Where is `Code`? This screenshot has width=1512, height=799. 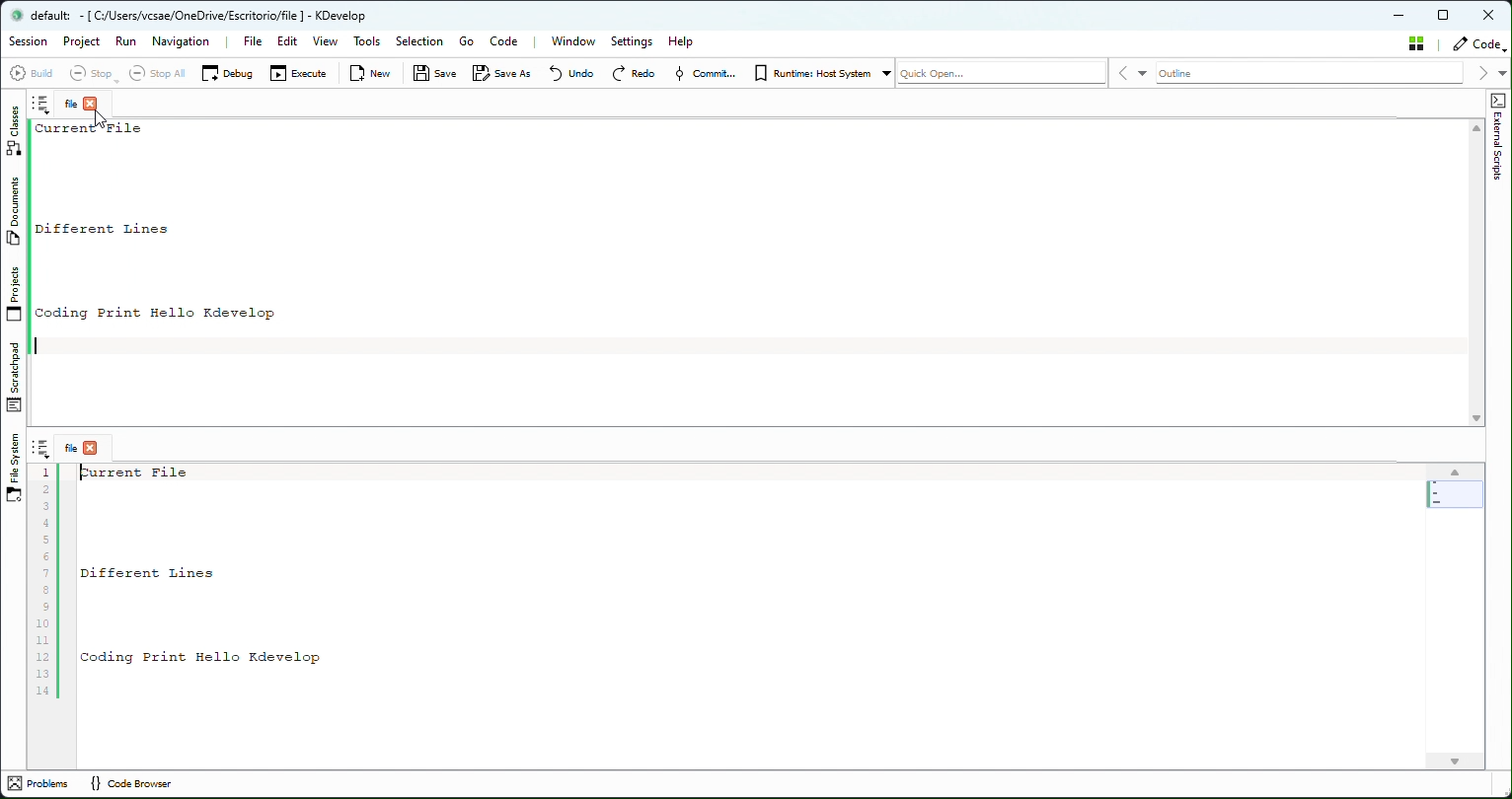
Code is located at coordinates (505, 41).